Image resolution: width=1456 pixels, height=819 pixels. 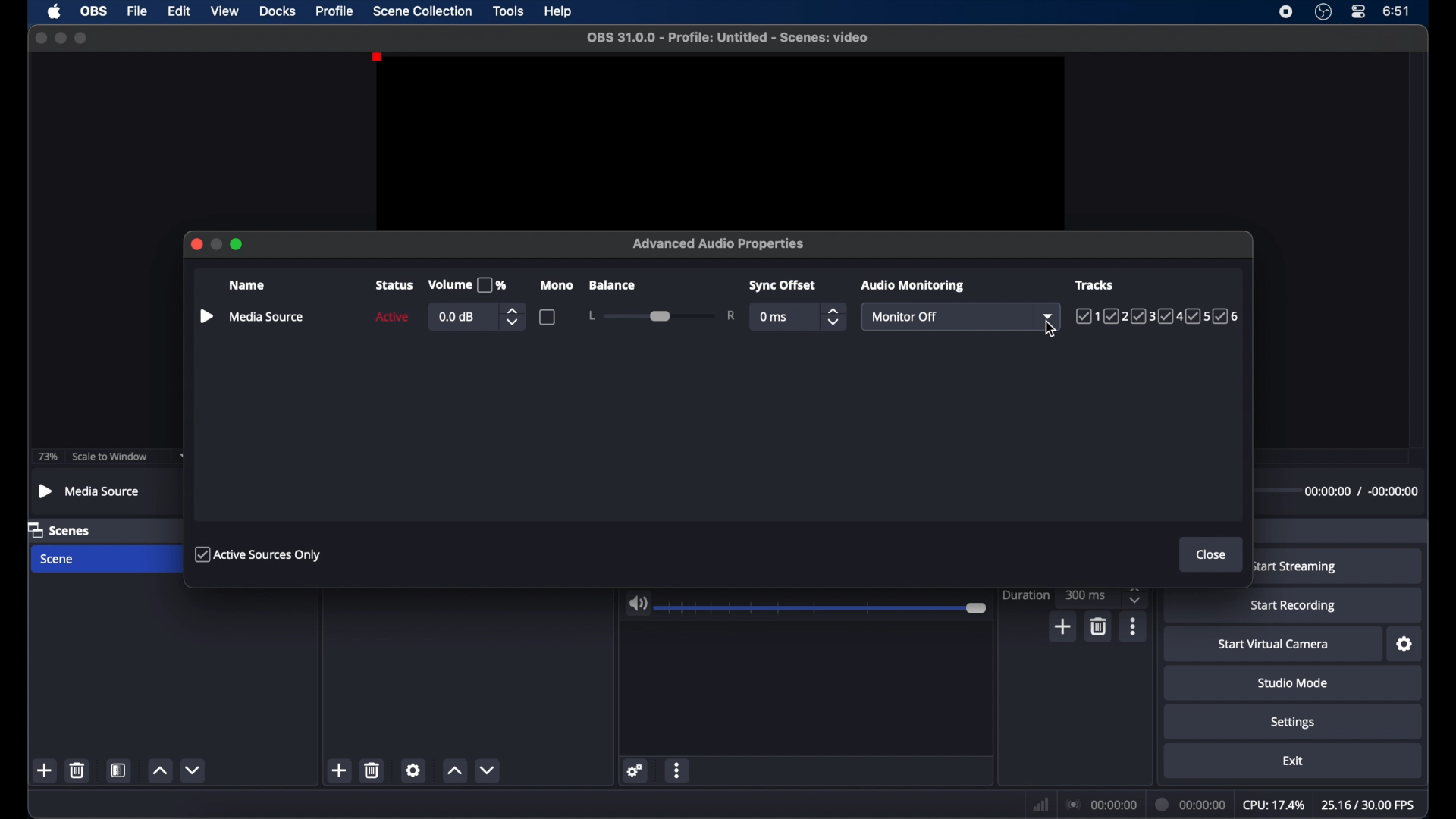 What do you see at coordinates (194, 244) in the screenshot?
I see `close` at bounding box center [194, 244].